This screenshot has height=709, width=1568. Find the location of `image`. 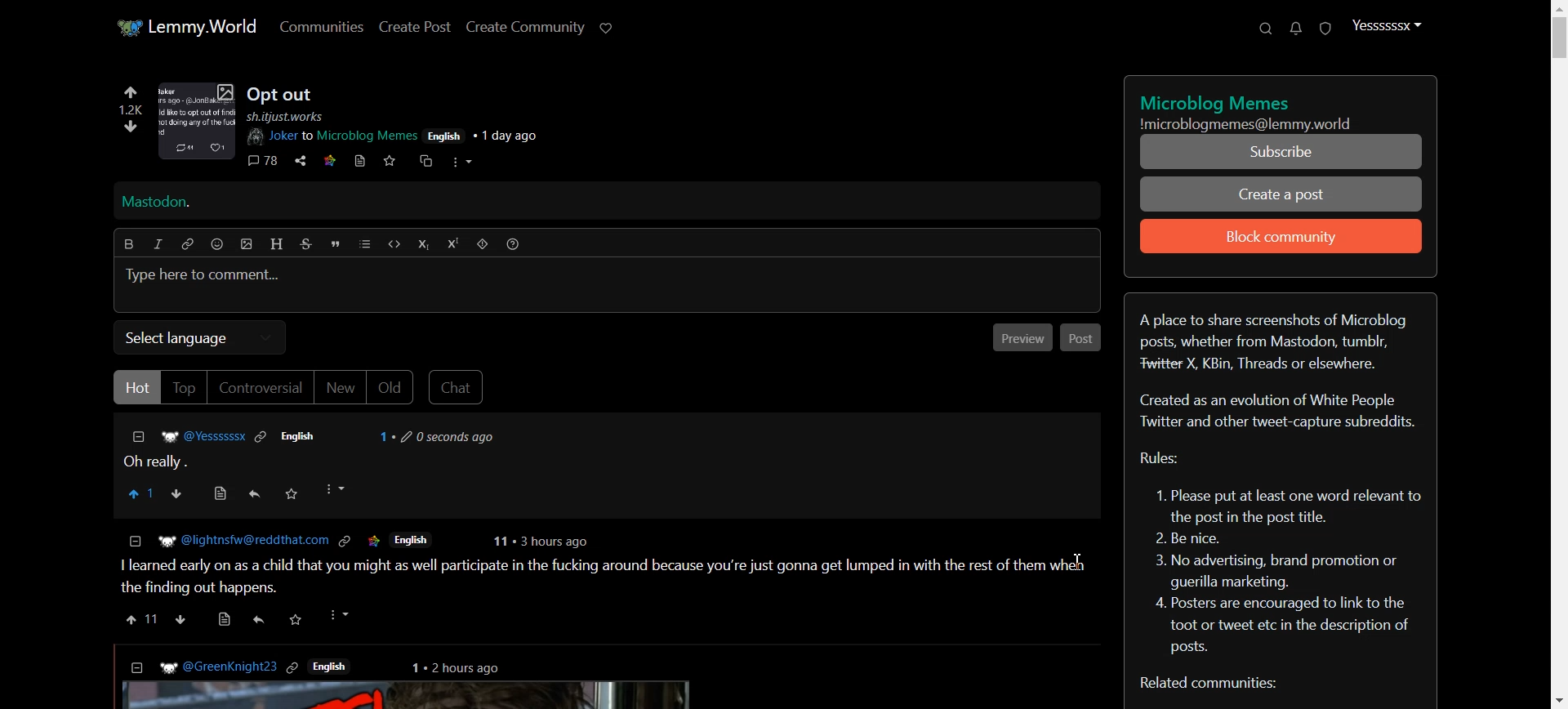

image is located at coordinates (199, 121).